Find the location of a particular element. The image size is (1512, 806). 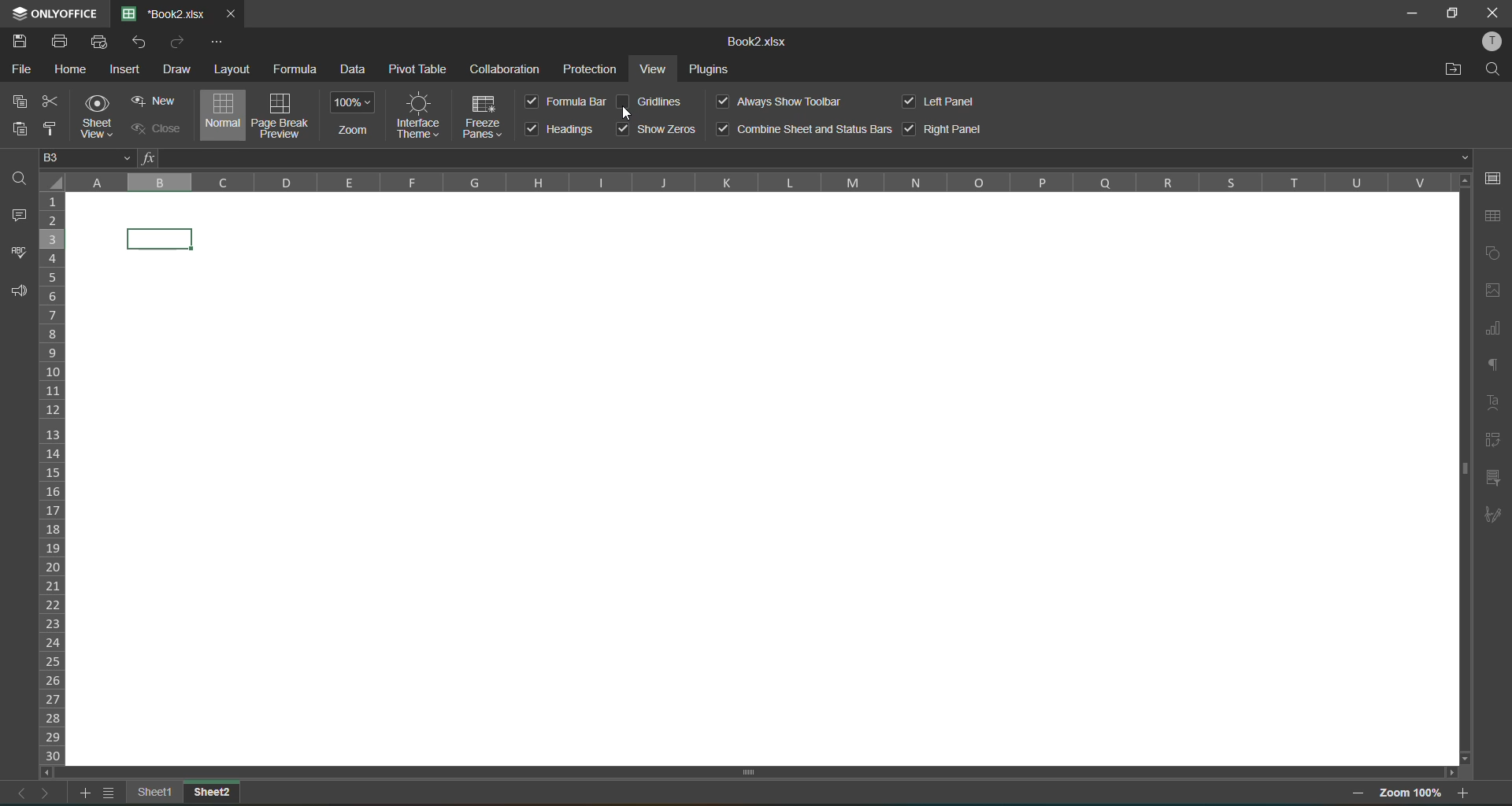

sheet 1 is located at coordinates (153, 793).